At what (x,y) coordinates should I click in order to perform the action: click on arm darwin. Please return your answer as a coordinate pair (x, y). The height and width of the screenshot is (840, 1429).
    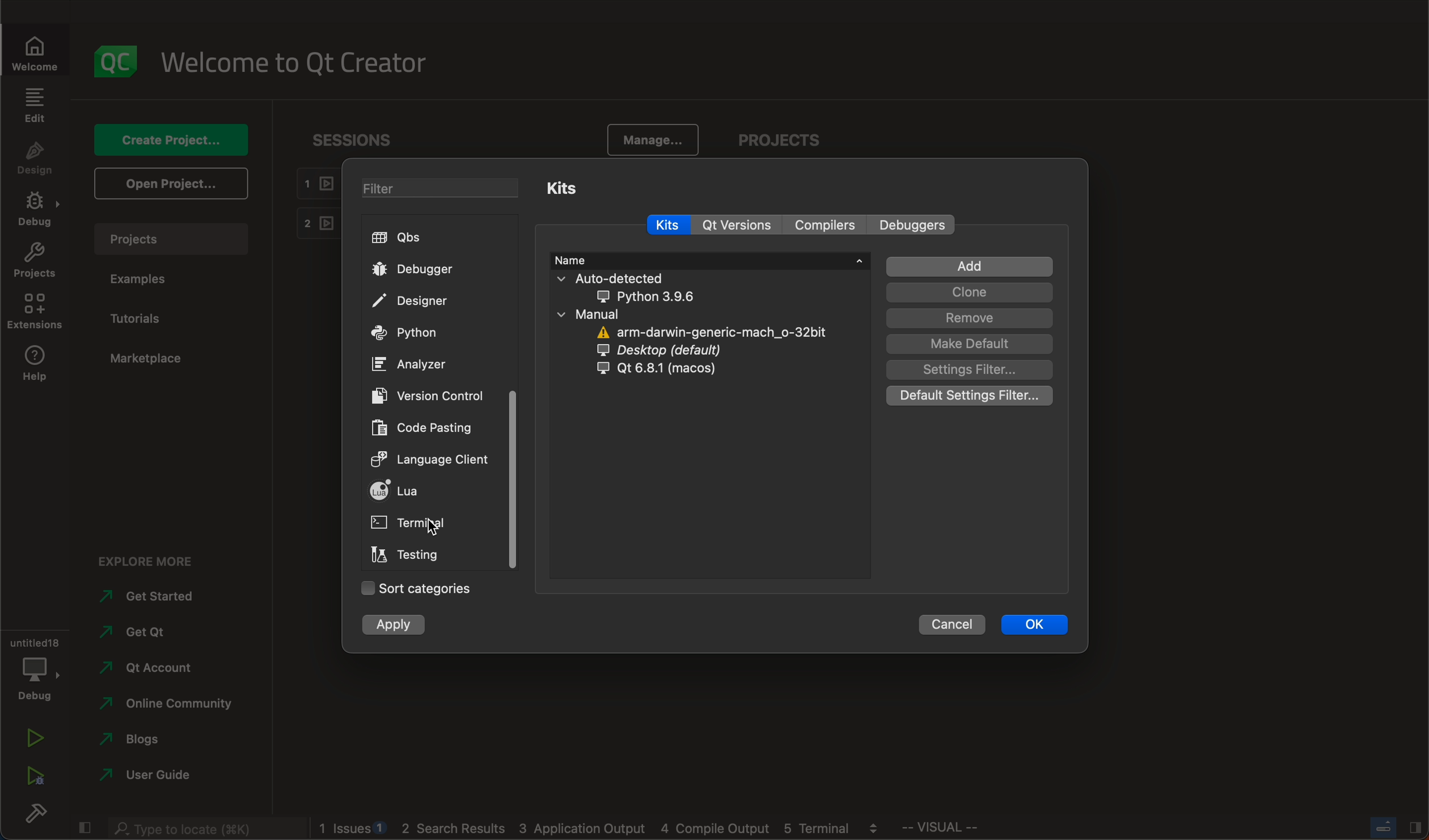
    Looking at the image, I should click on (708, 333).